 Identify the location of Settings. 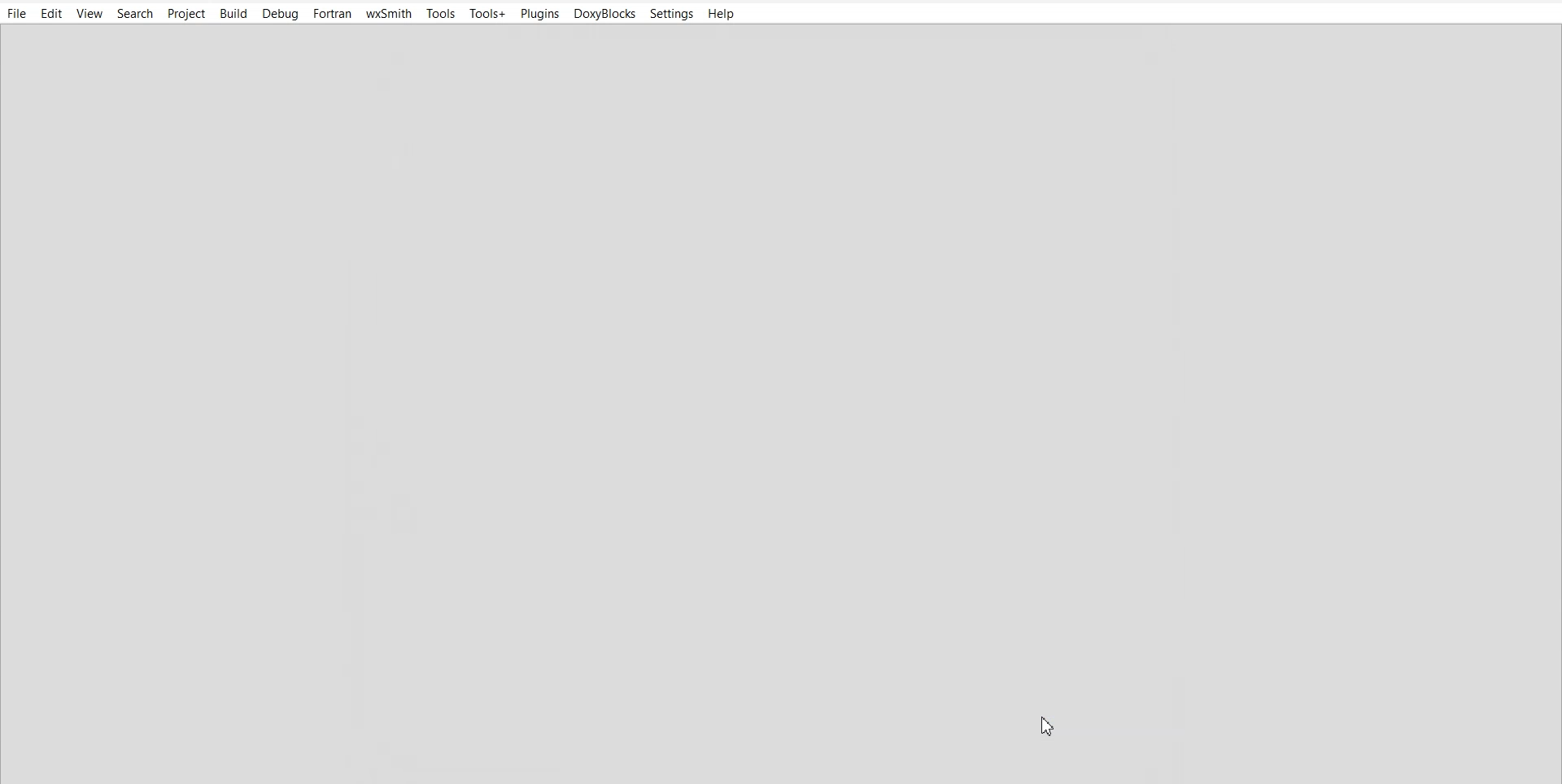
(672, 14).